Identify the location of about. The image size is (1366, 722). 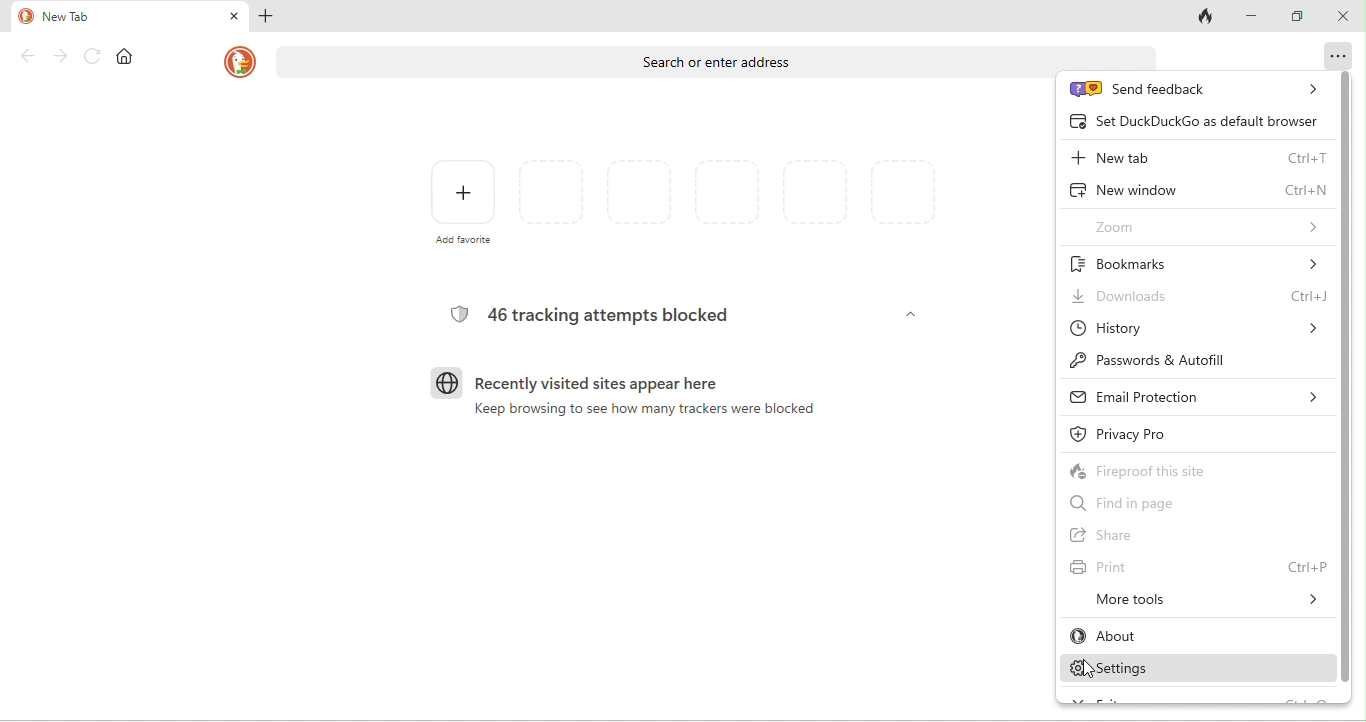
(1164, 638).